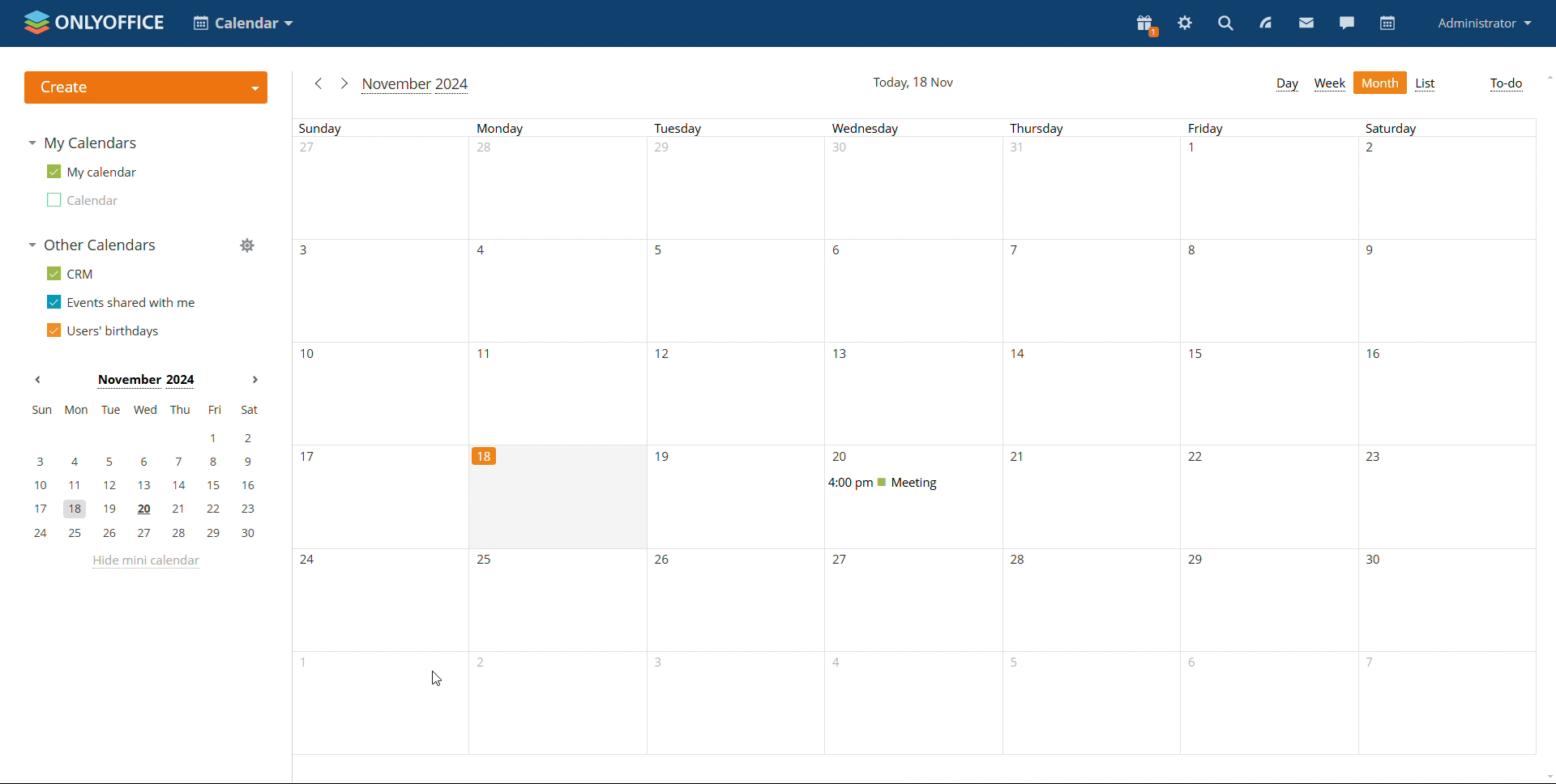  What do you see at coordinates (82, 200) in the screenshot?
I see `calendar` at bounding box center [82, 200].